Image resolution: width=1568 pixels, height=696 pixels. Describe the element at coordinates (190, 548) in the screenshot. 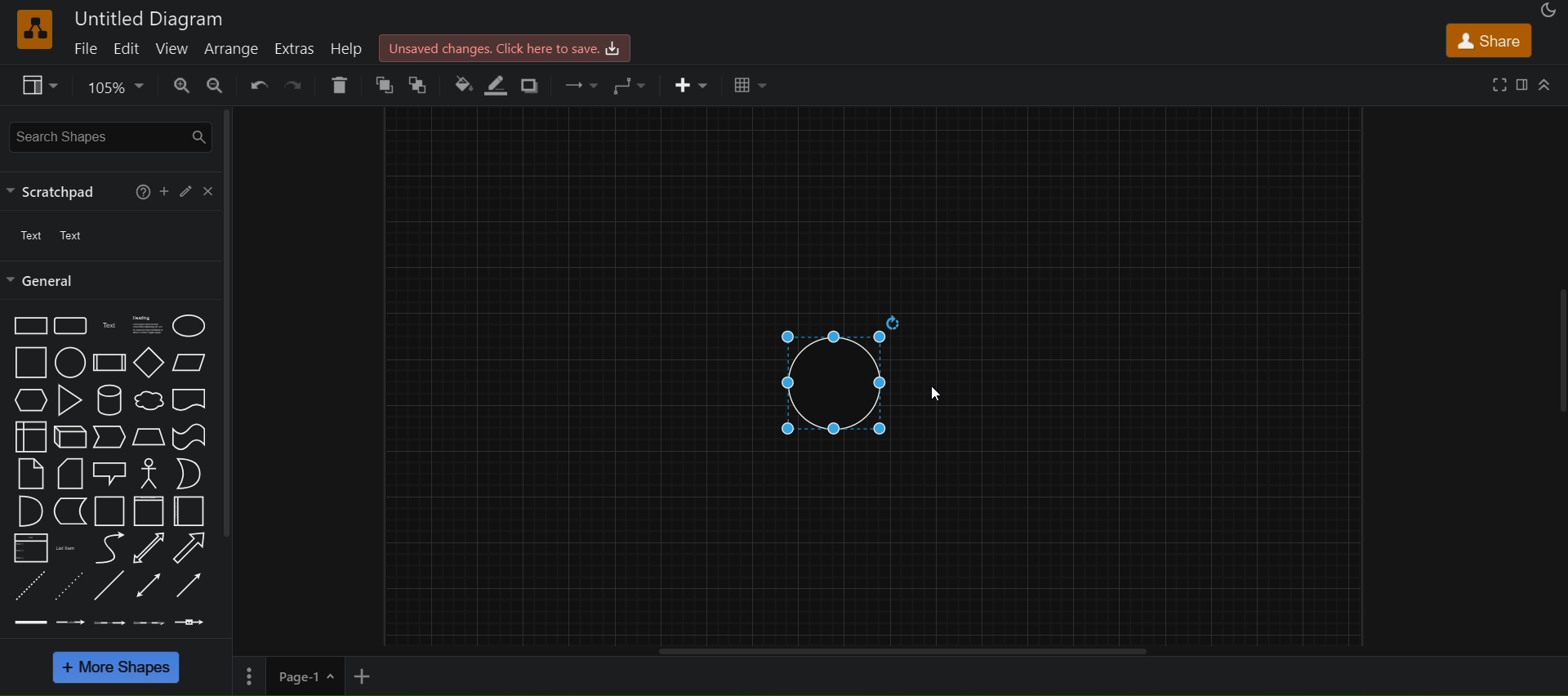

I see `arrow` at that location.